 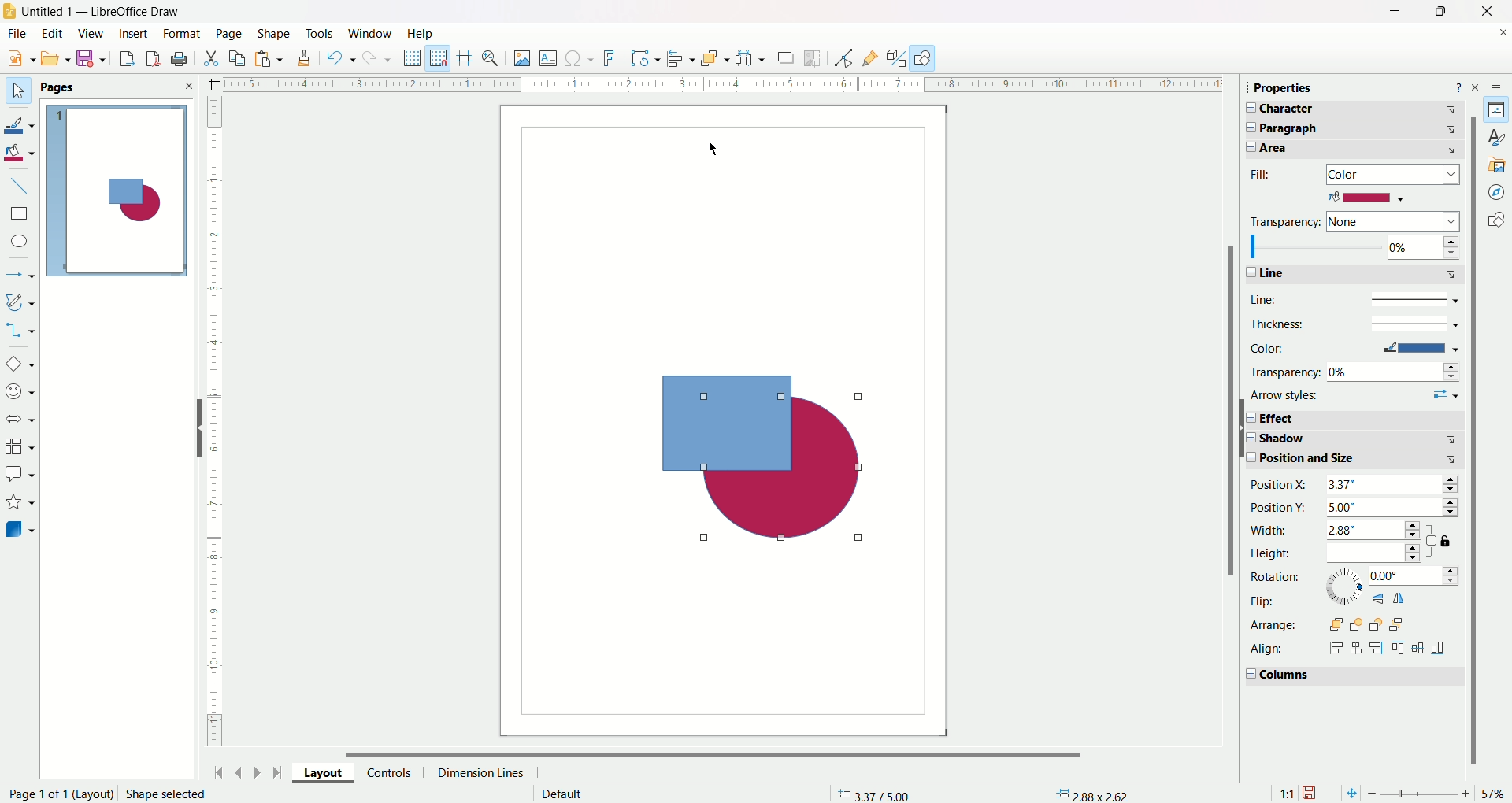 I want to click on open, so click(x=56, y=60).